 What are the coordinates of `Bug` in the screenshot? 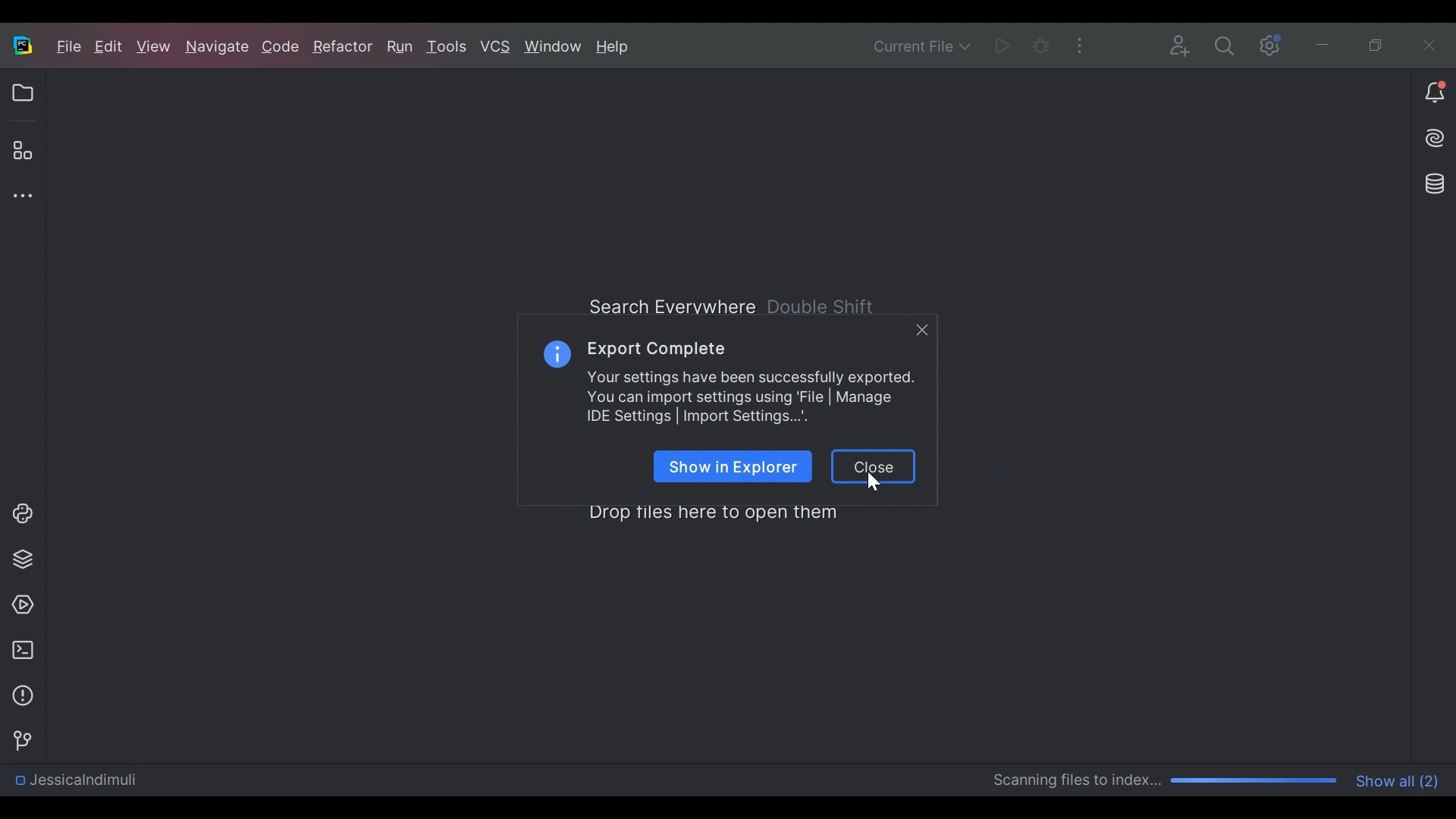 It's located at (1040, 44).